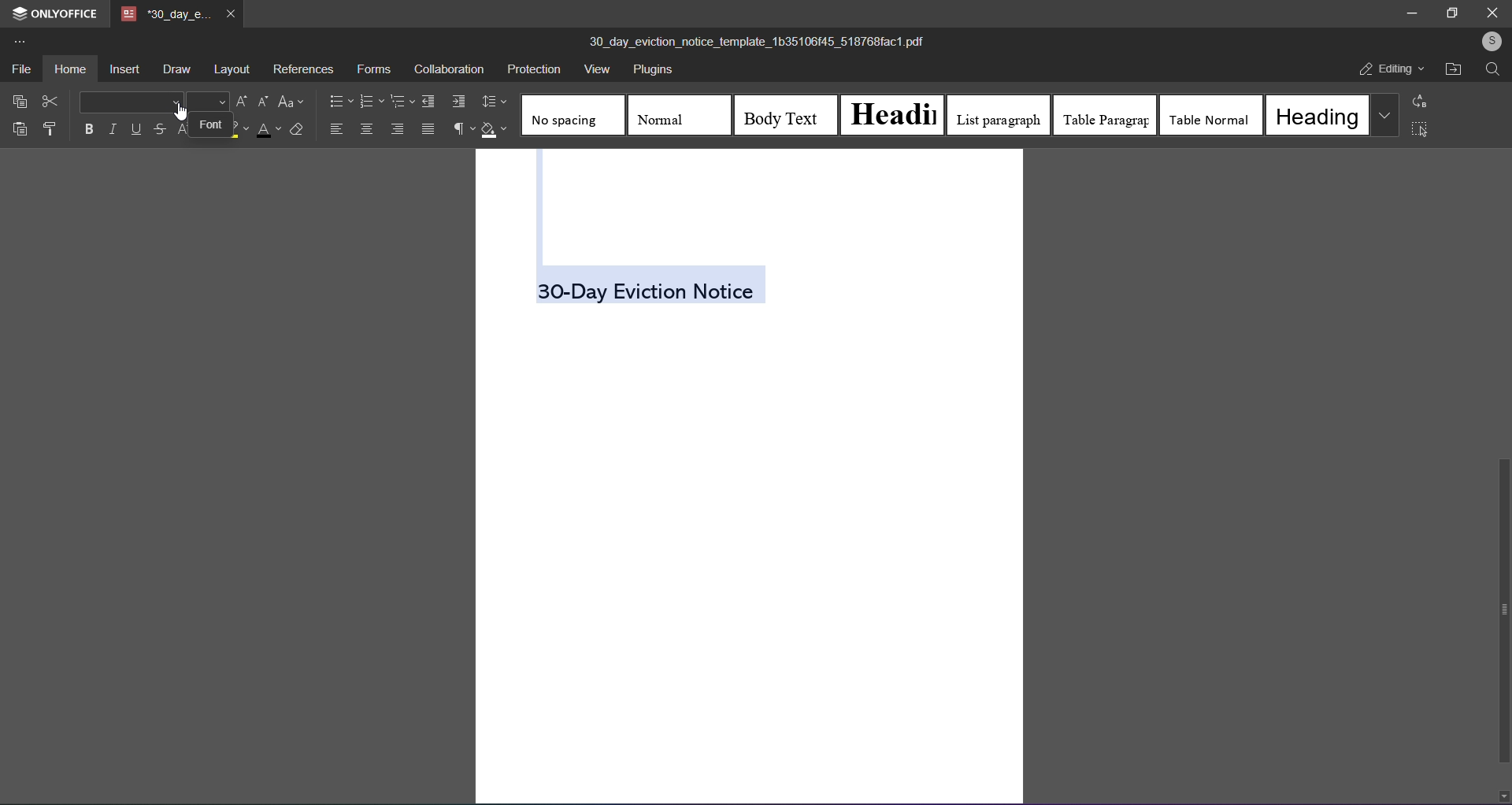 This screenshot has width=1512, height=805. I want to click on selected text, so click(654, 287).